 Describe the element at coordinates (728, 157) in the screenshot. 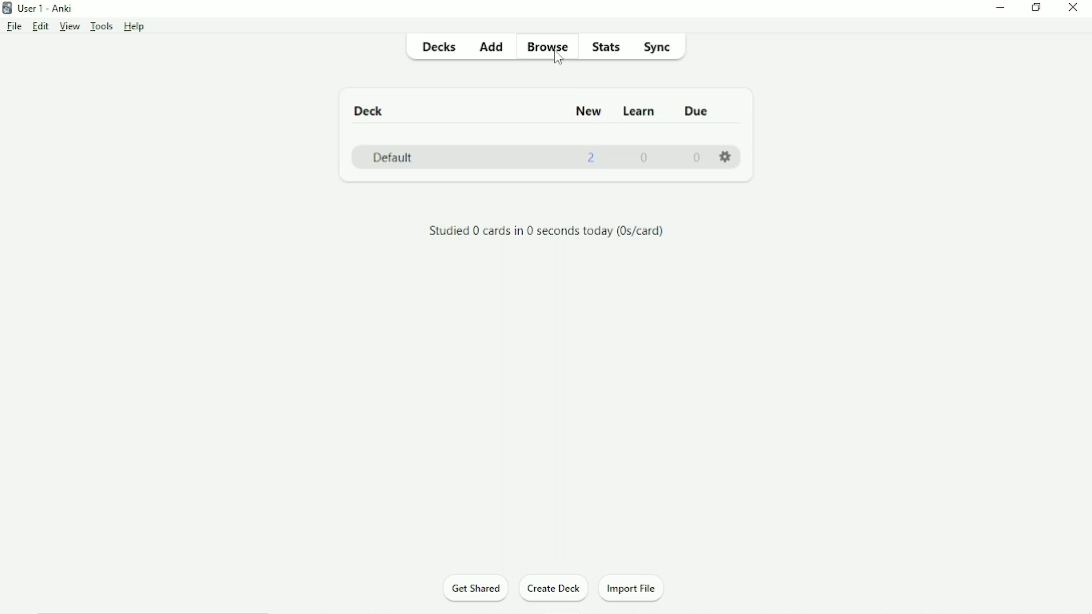

I see `Settings` at that location.